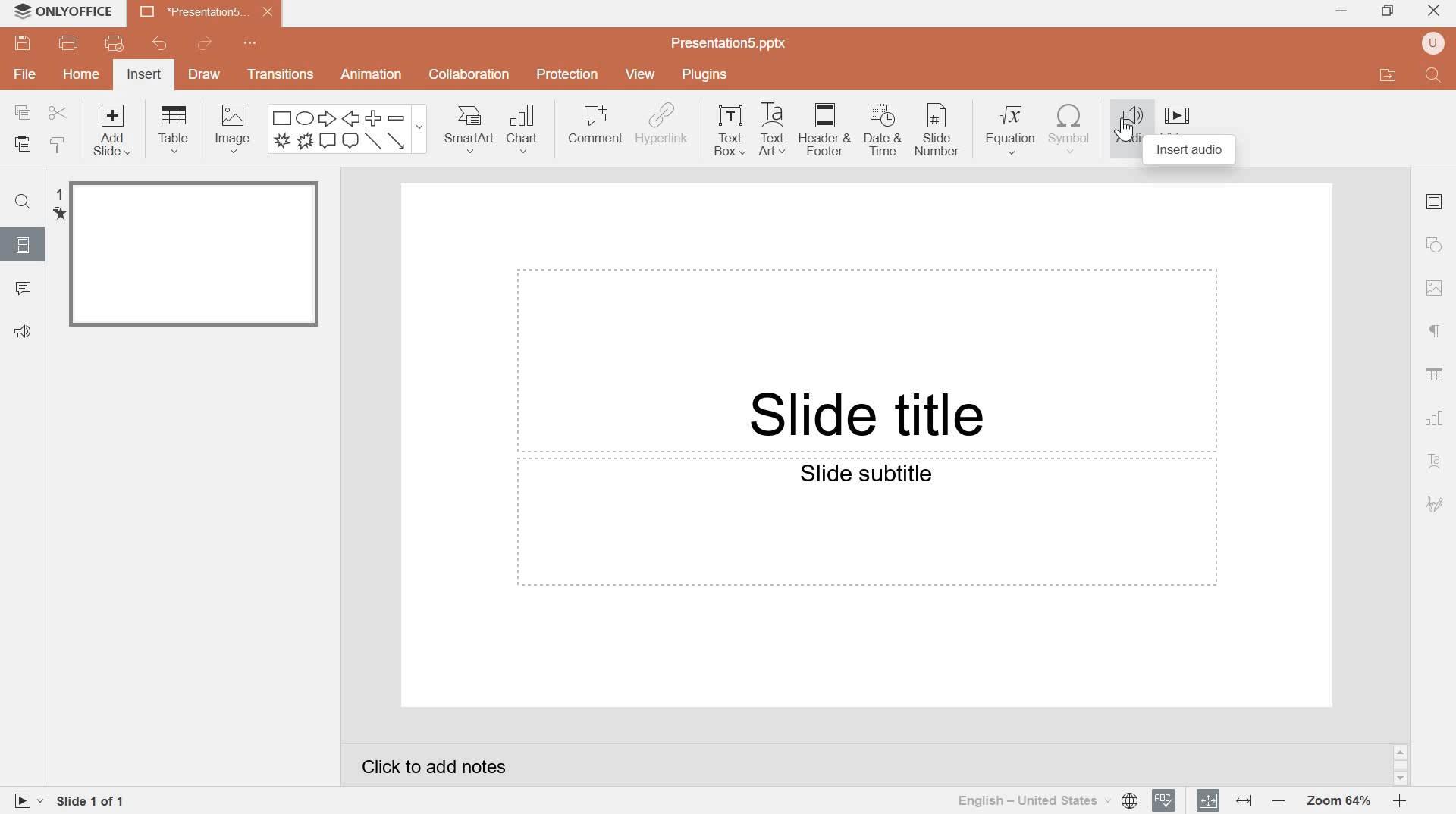 Image resolution: width=1456 pixels, height=814 pixels. What do you see at coordinates (1401, 780) in the screenshot?
I see `scroll down` at bounding box center [1401, 780].